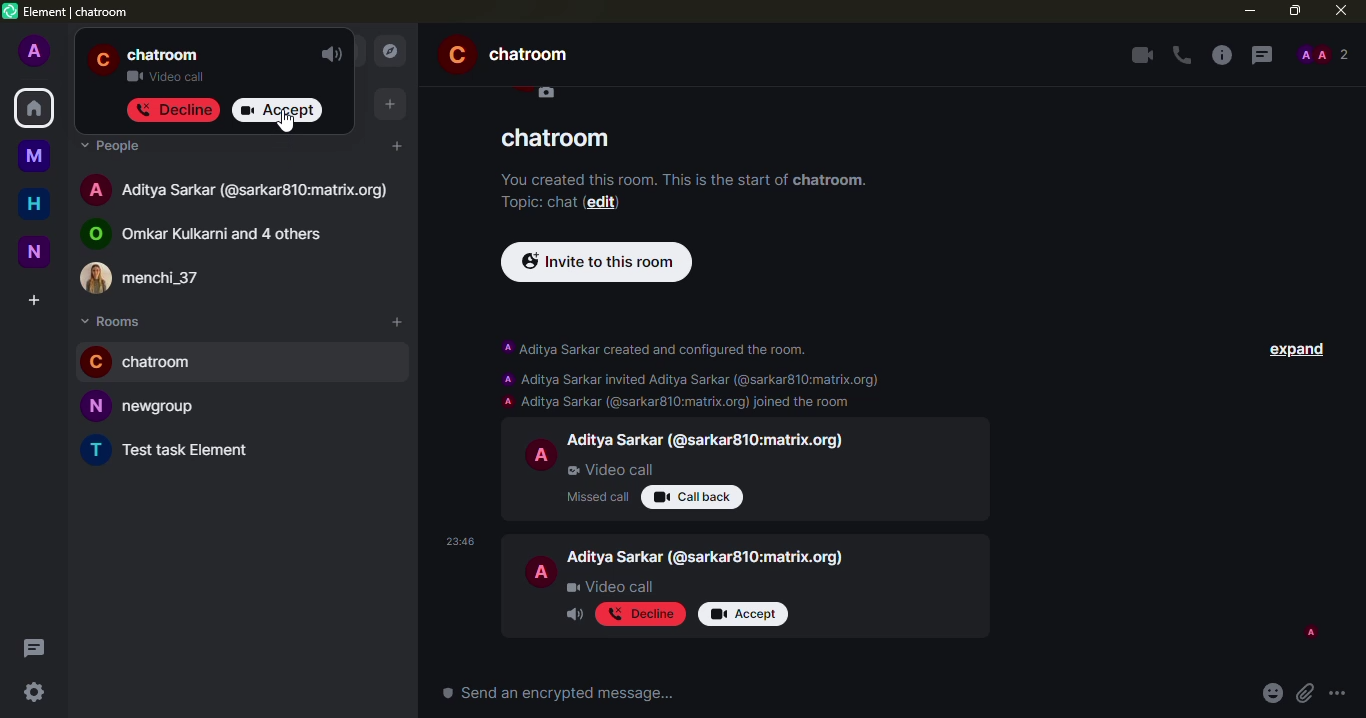  Describe the element at coordinates (547, 93) in the screenshot. I see `camera ` at that location.